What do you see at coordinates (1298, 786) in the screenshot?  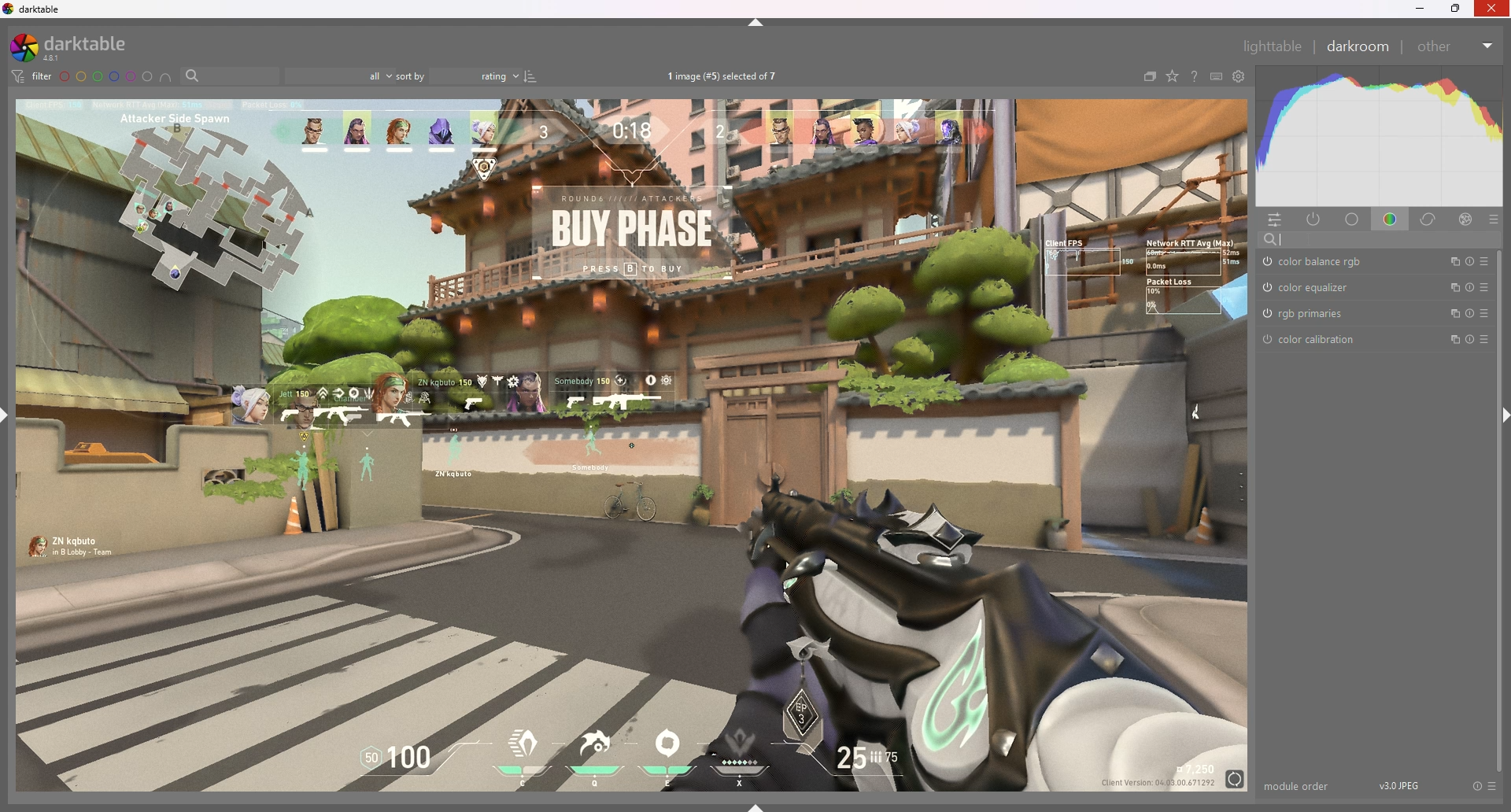 I see `module order` at bounding box center [1298, 786].